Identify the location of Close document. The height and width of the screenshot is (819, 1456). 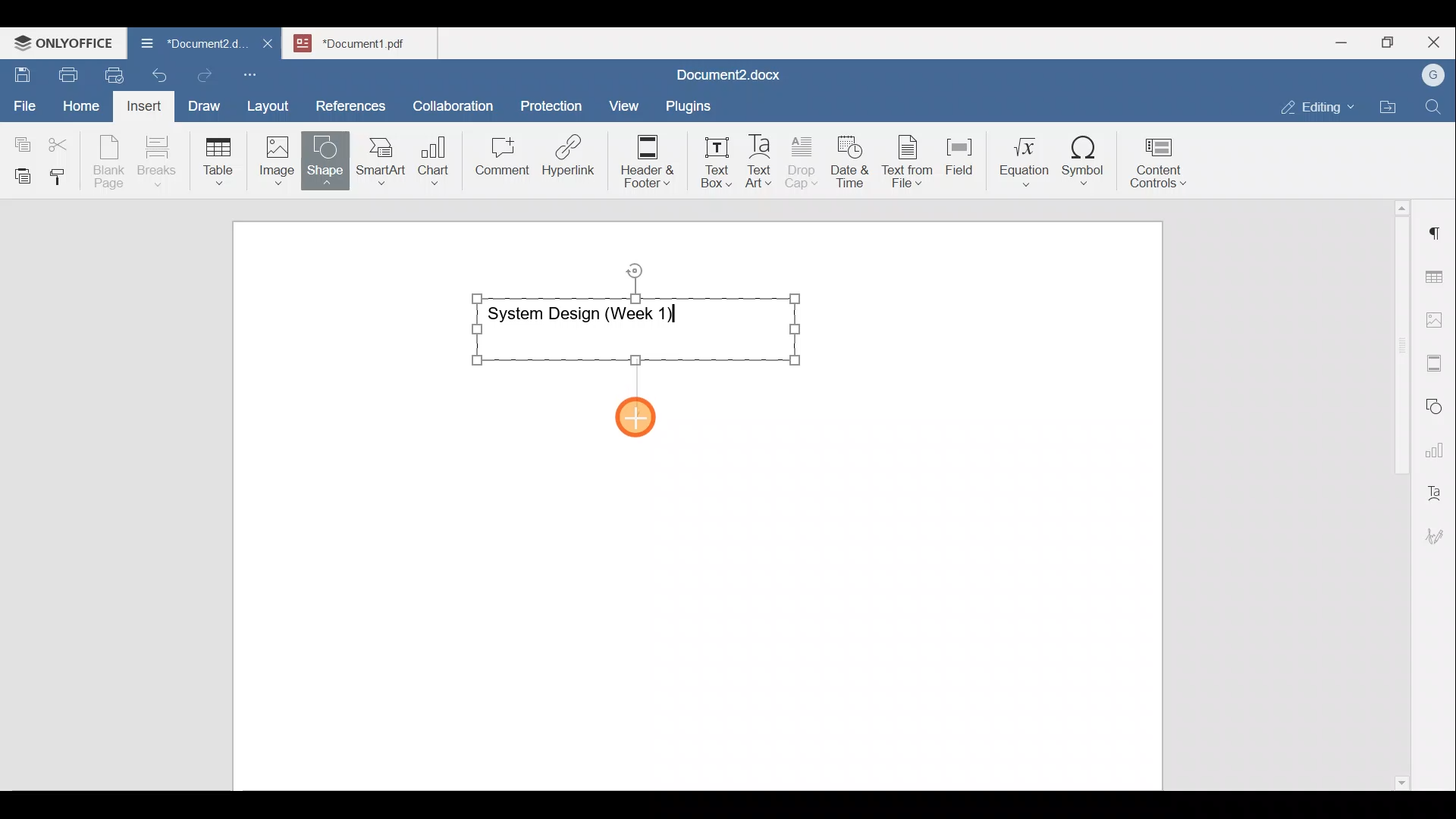
(268, 45).